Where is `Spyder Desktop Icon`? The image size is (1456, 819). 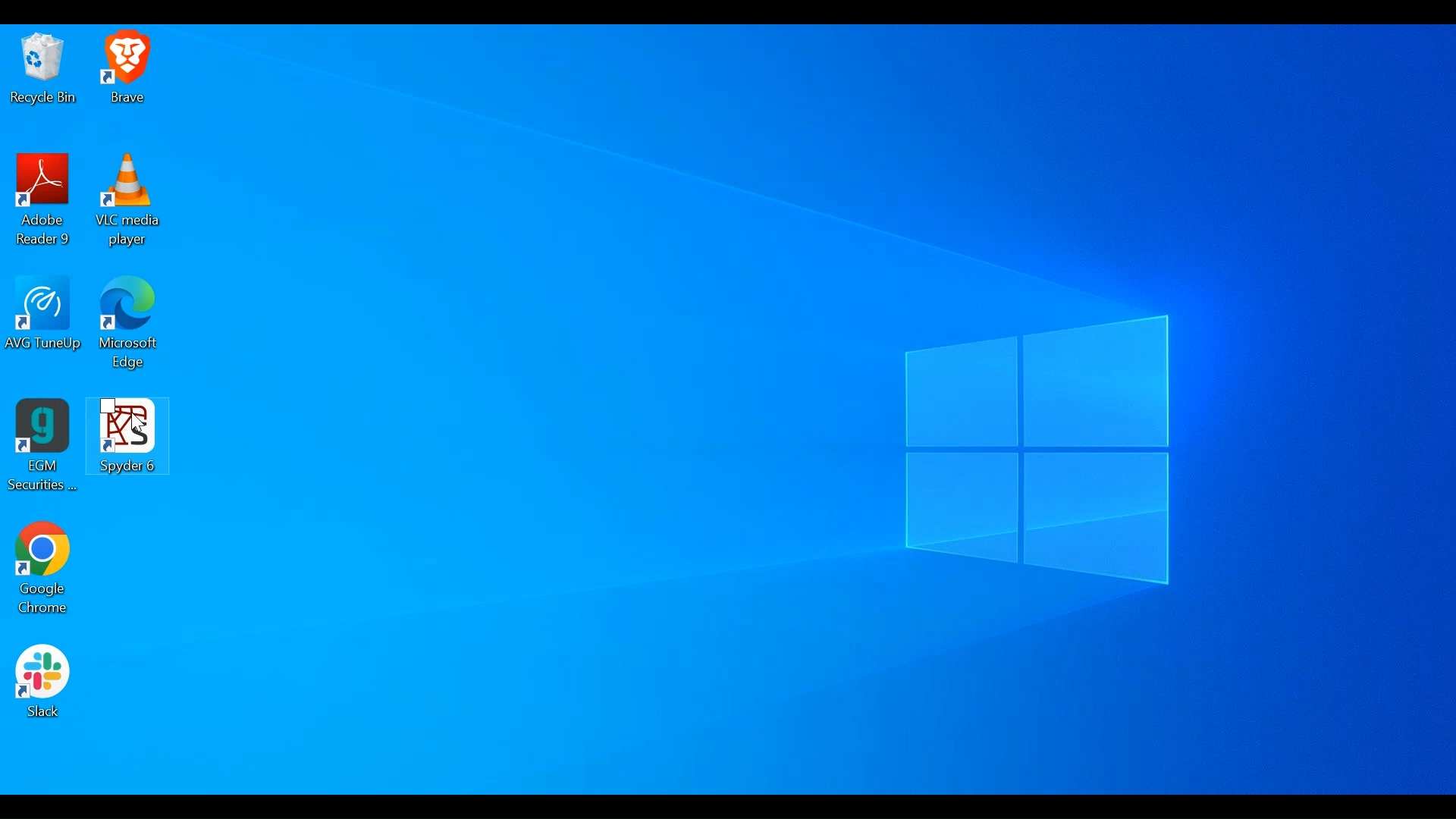 Spyder Desktop Icon is located at coordinates (123, 449).